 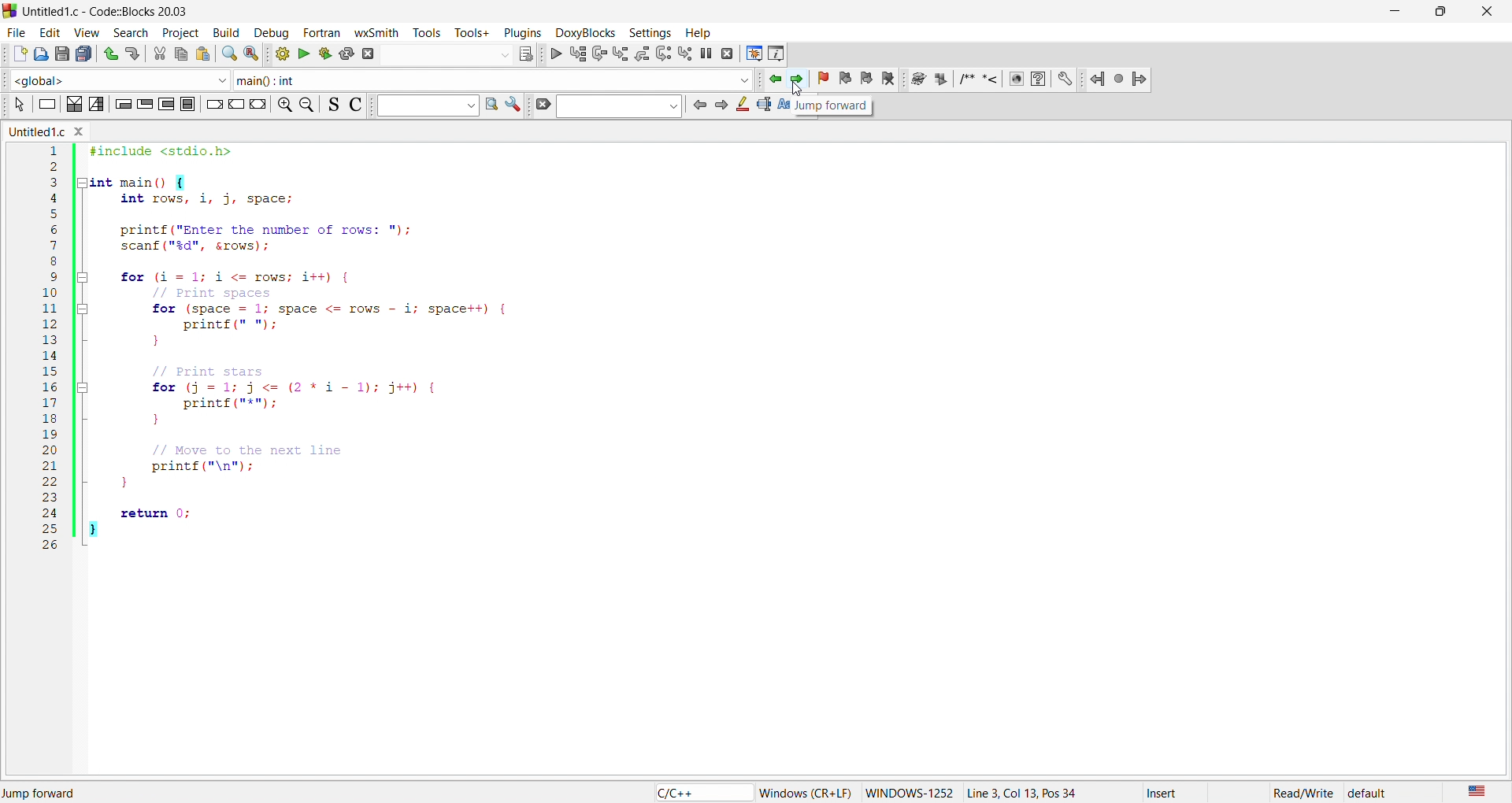 What do you see at coordinates (809, 790) in the screenshot?
I see `‘Windows (CR+LF) ` at bounding box center [809, 790].